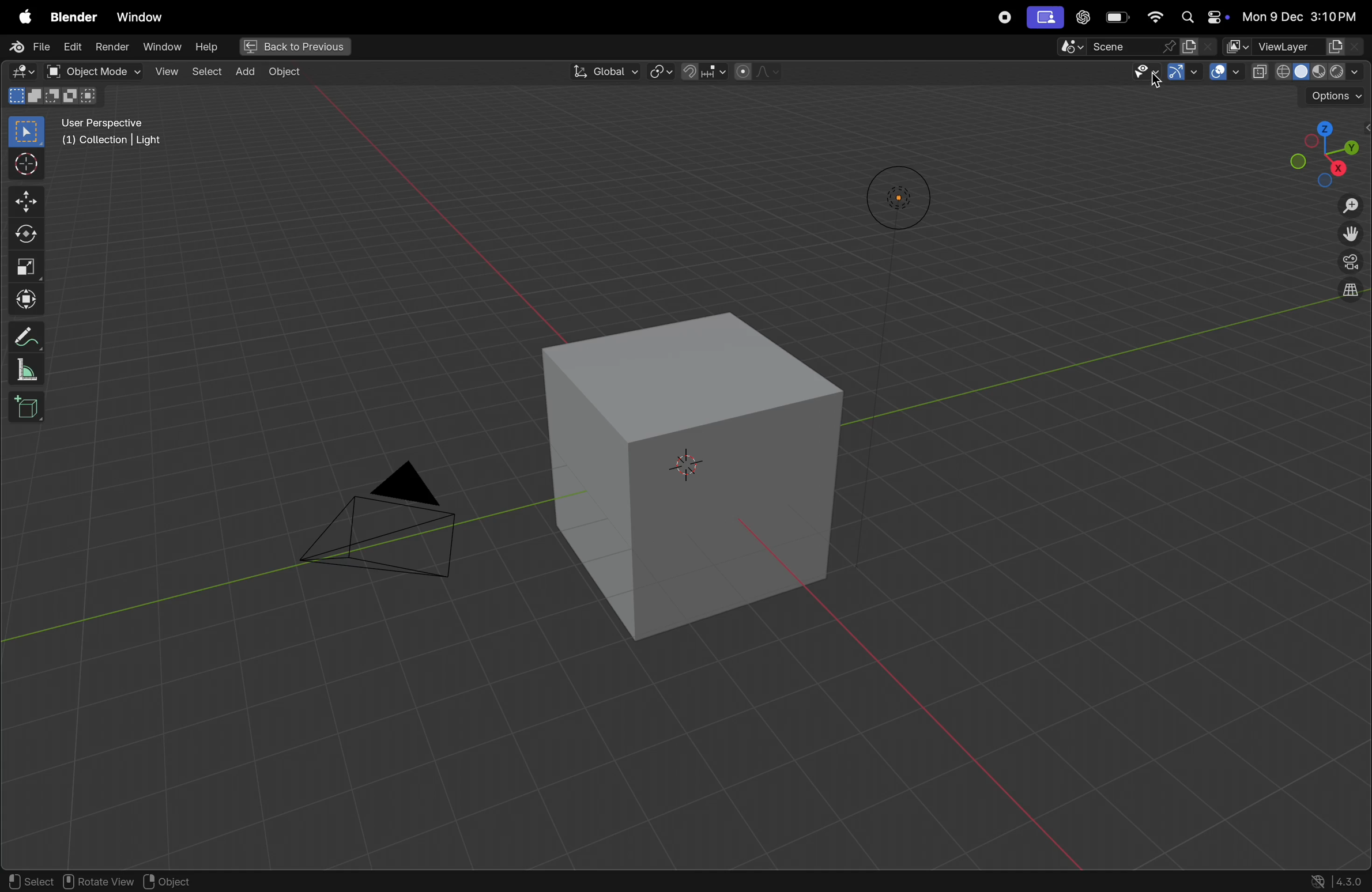  What do you see at coordinates (295, 47) in the screenshot?
I see `back to previous` at bounding box center [295, 47].